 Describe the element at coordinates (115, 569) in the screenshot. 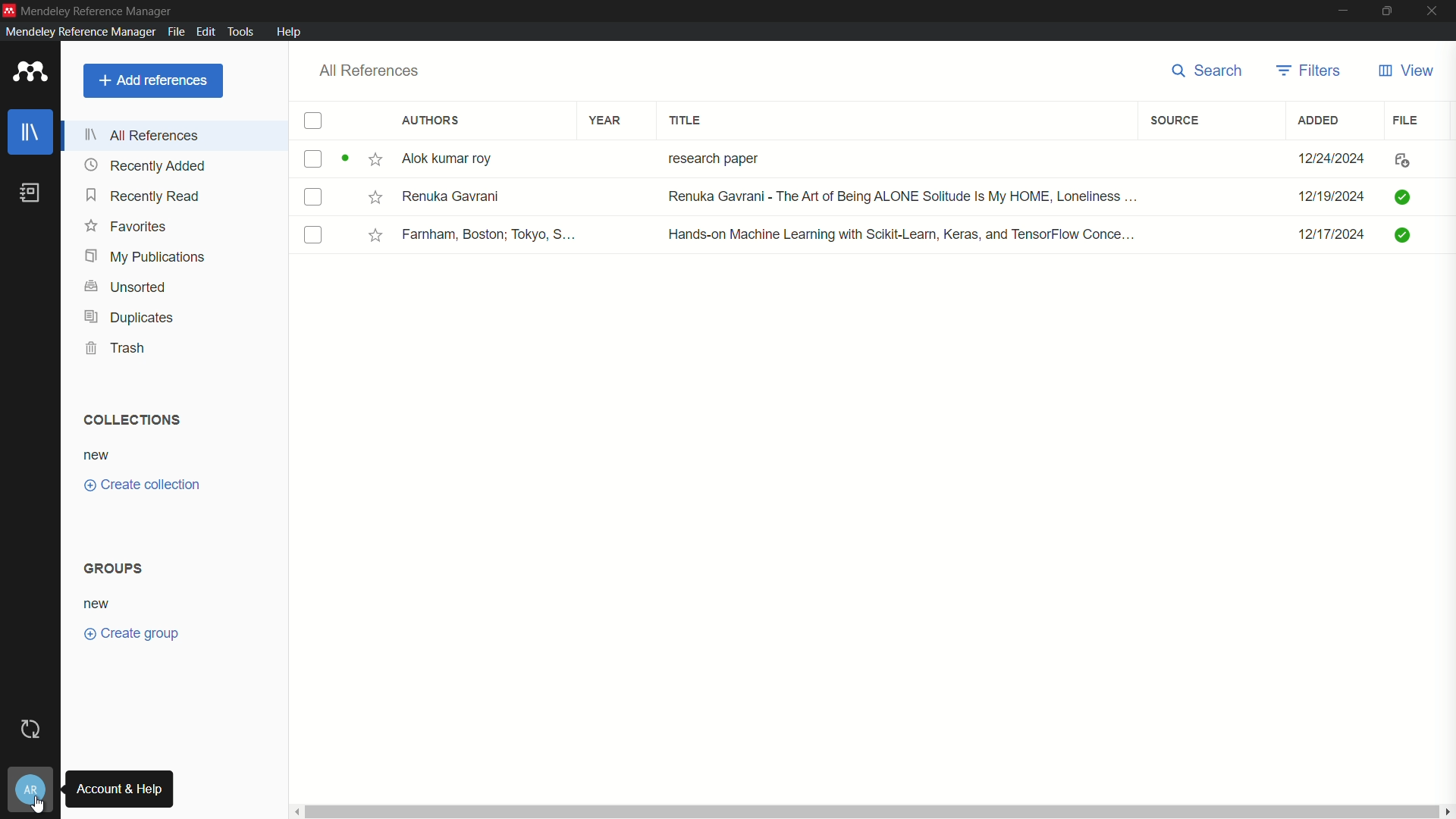

I see `groups` at that location.